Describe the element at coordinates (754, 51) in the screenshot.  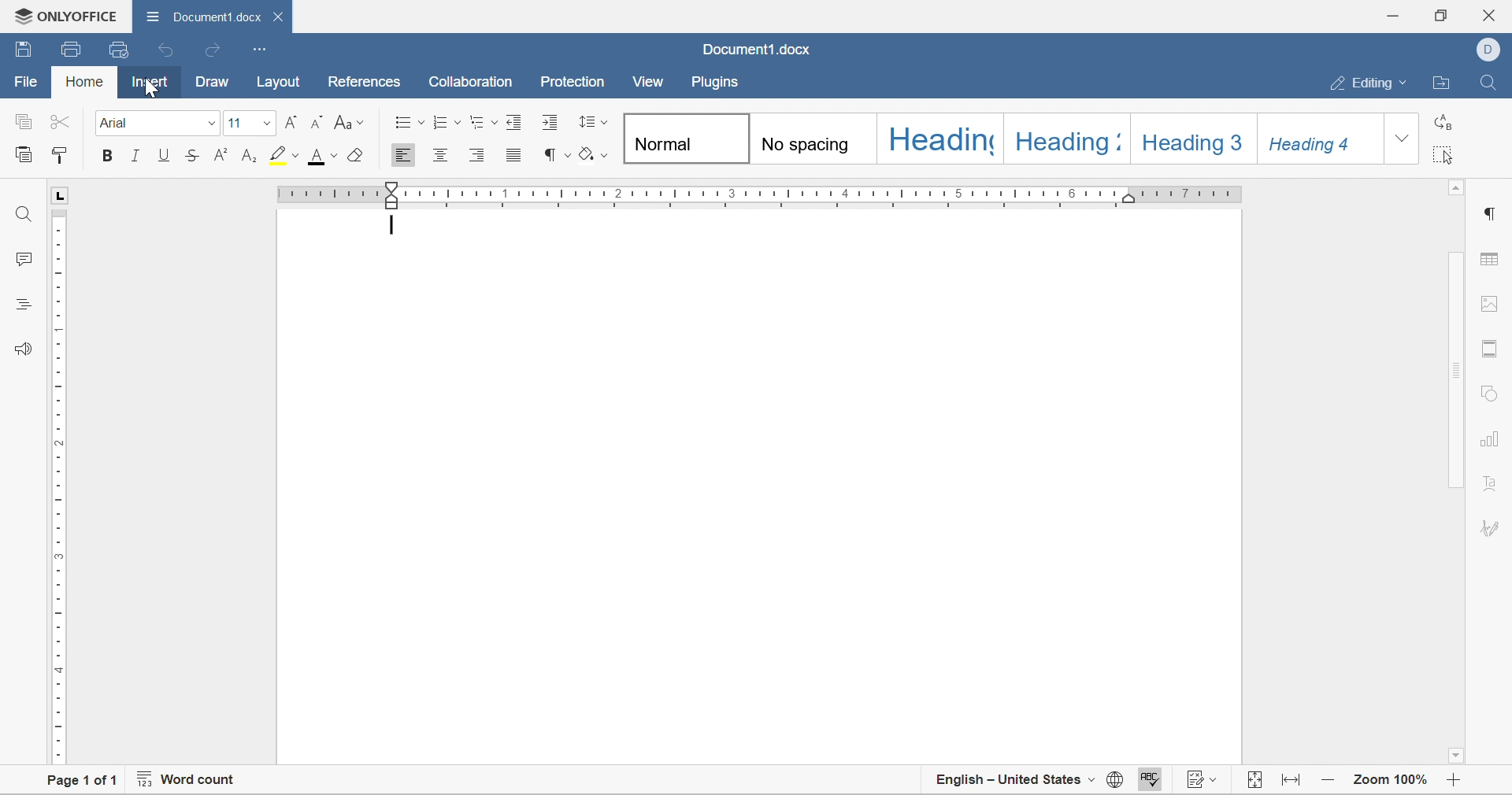
I see `Document.docx` at that location.